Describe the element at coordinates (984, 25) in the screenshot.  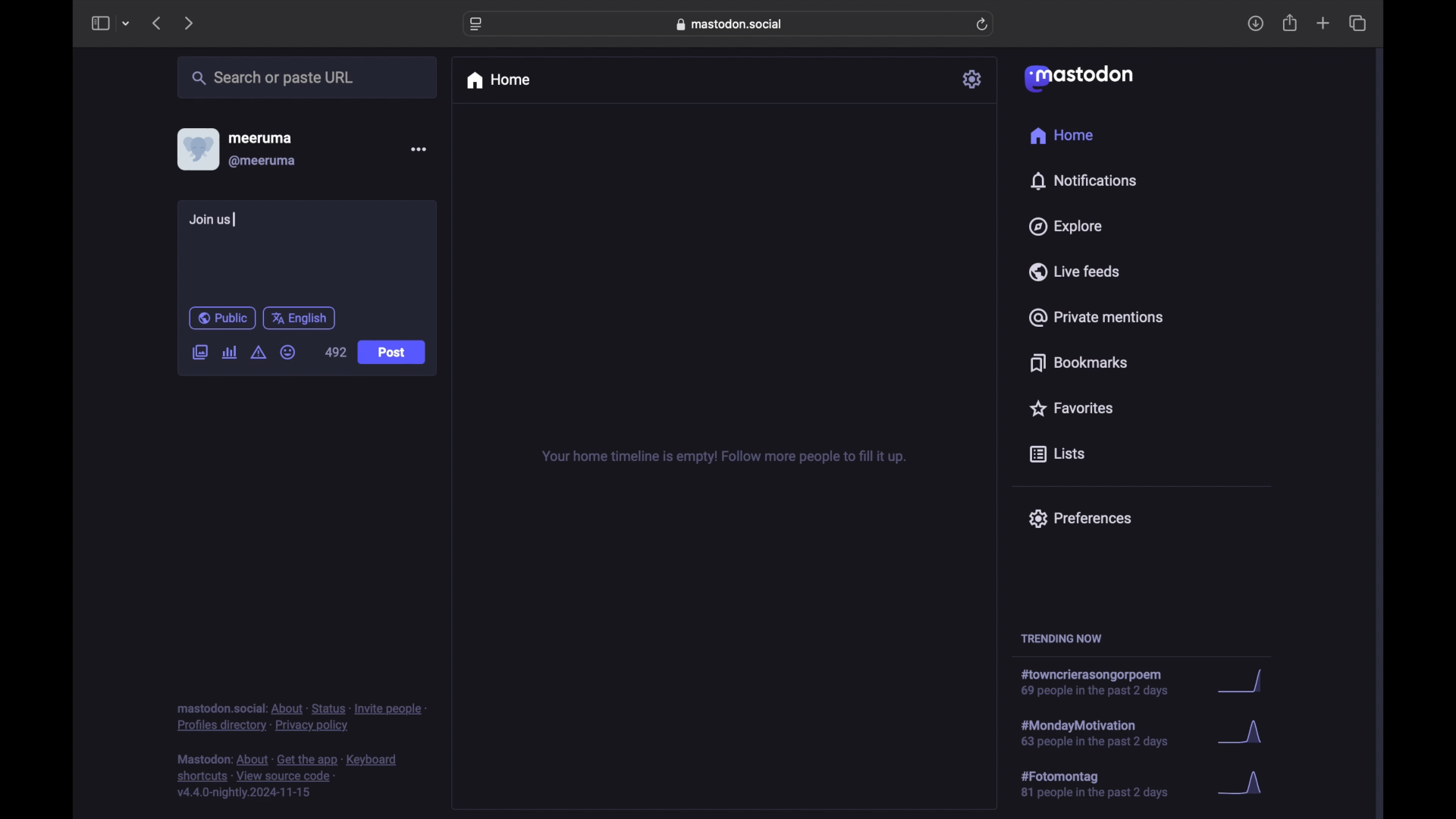
I see `refresh` at that location.